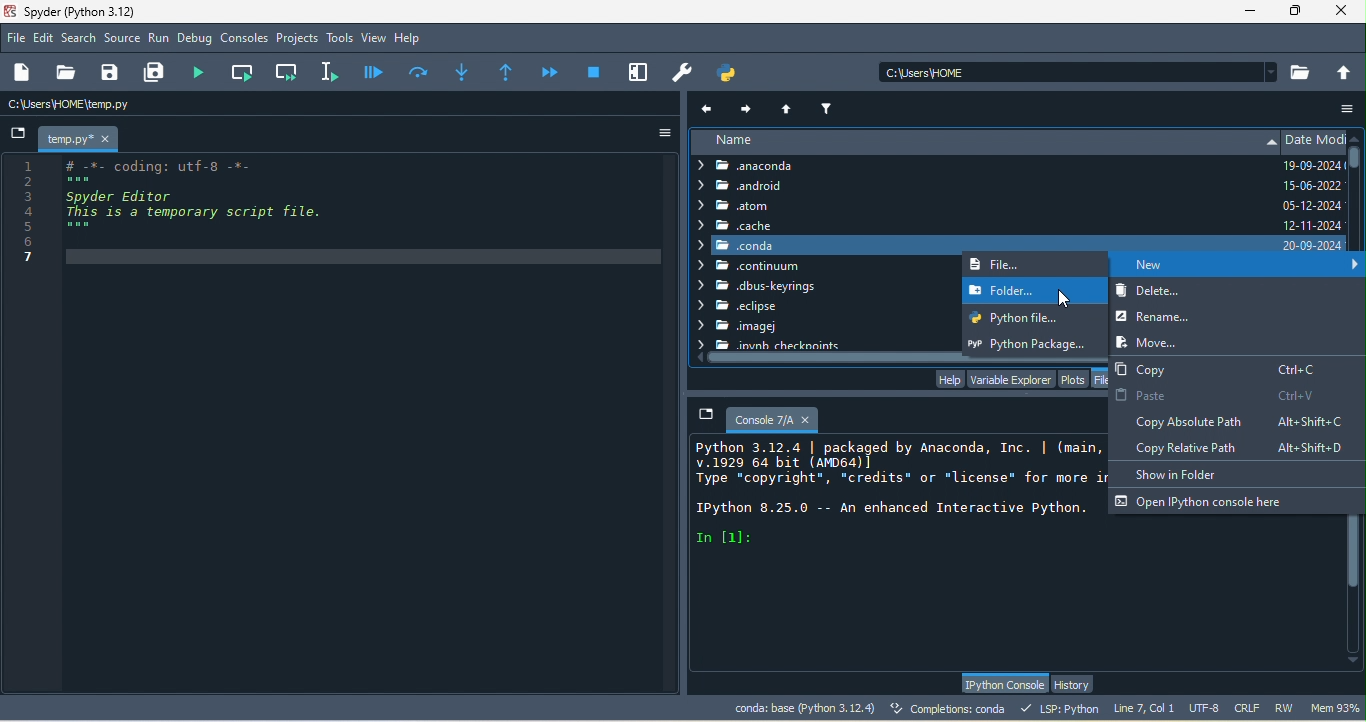 The image size is (1366, 722). Describe the element at coordinates (1029, 317) in the screenshot. I see `python file` at that location.